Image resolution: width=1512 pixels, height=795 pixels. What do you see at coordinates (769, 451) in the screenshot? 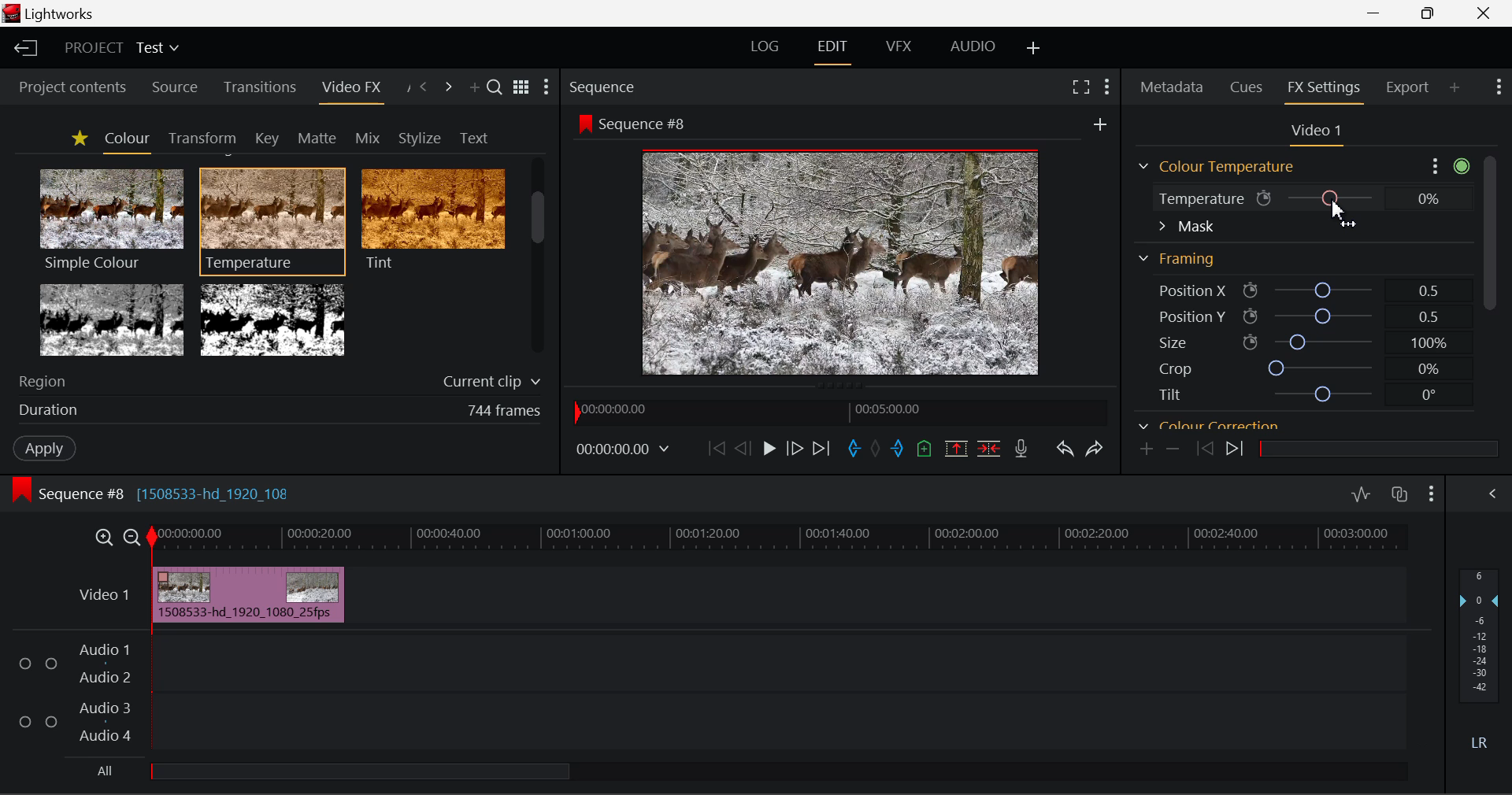
I see `Play` at bounding box center [769, 451].